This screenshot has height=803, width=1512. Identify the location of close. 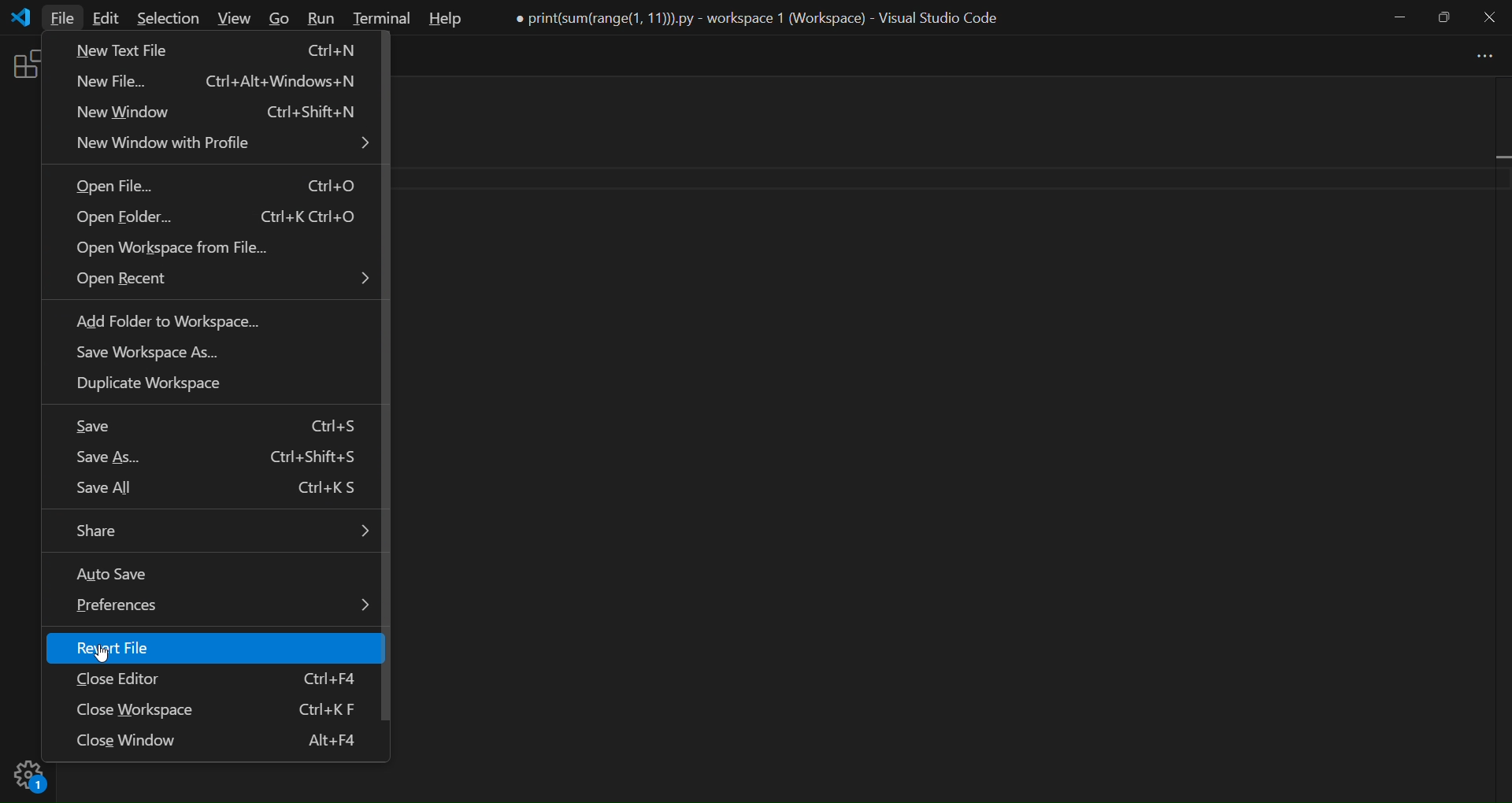
(1488, 18).